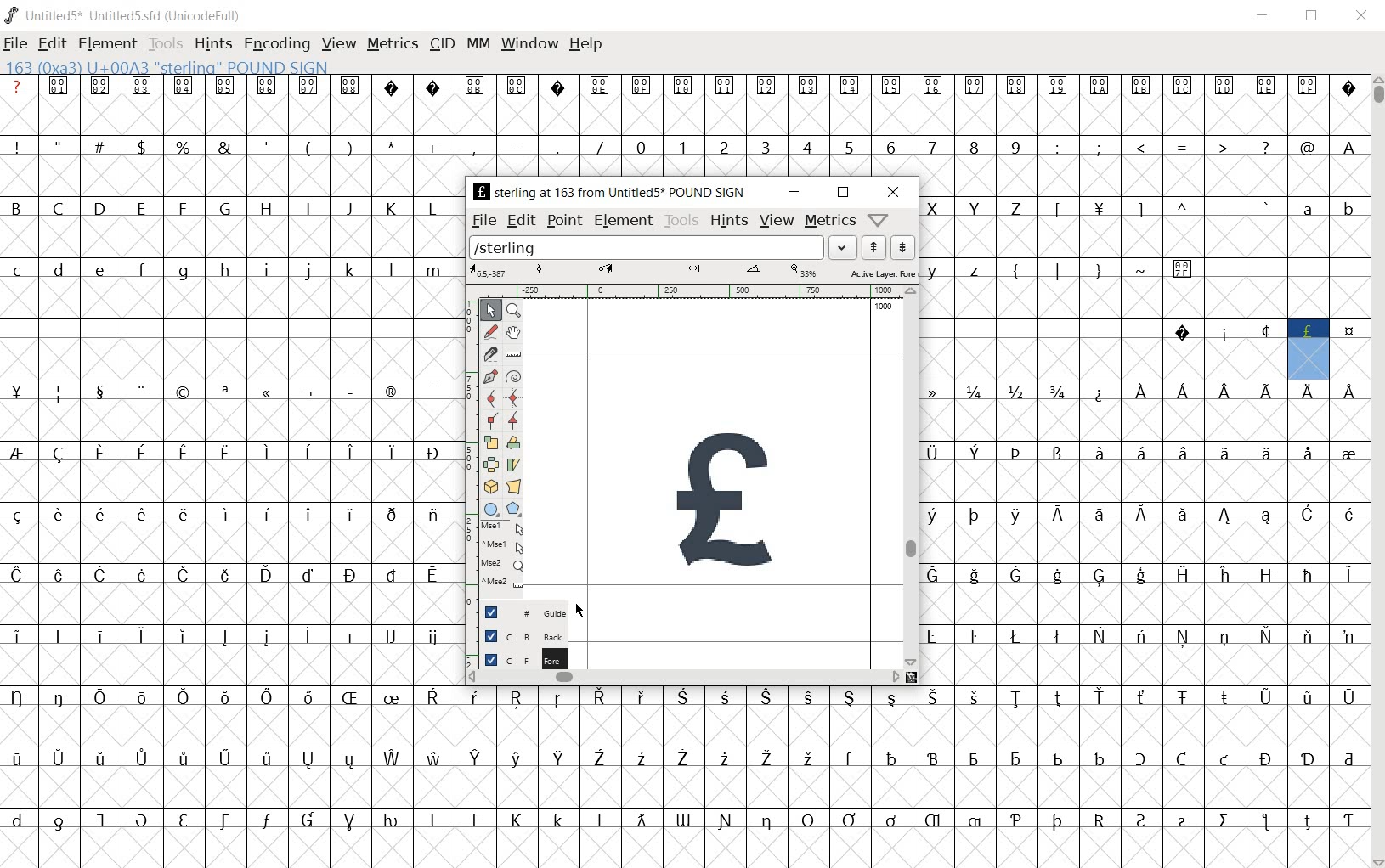  What do you see at coordinates (599, 759) in the screenshot?
I see `Symbol` at bounding box center [599, 759].